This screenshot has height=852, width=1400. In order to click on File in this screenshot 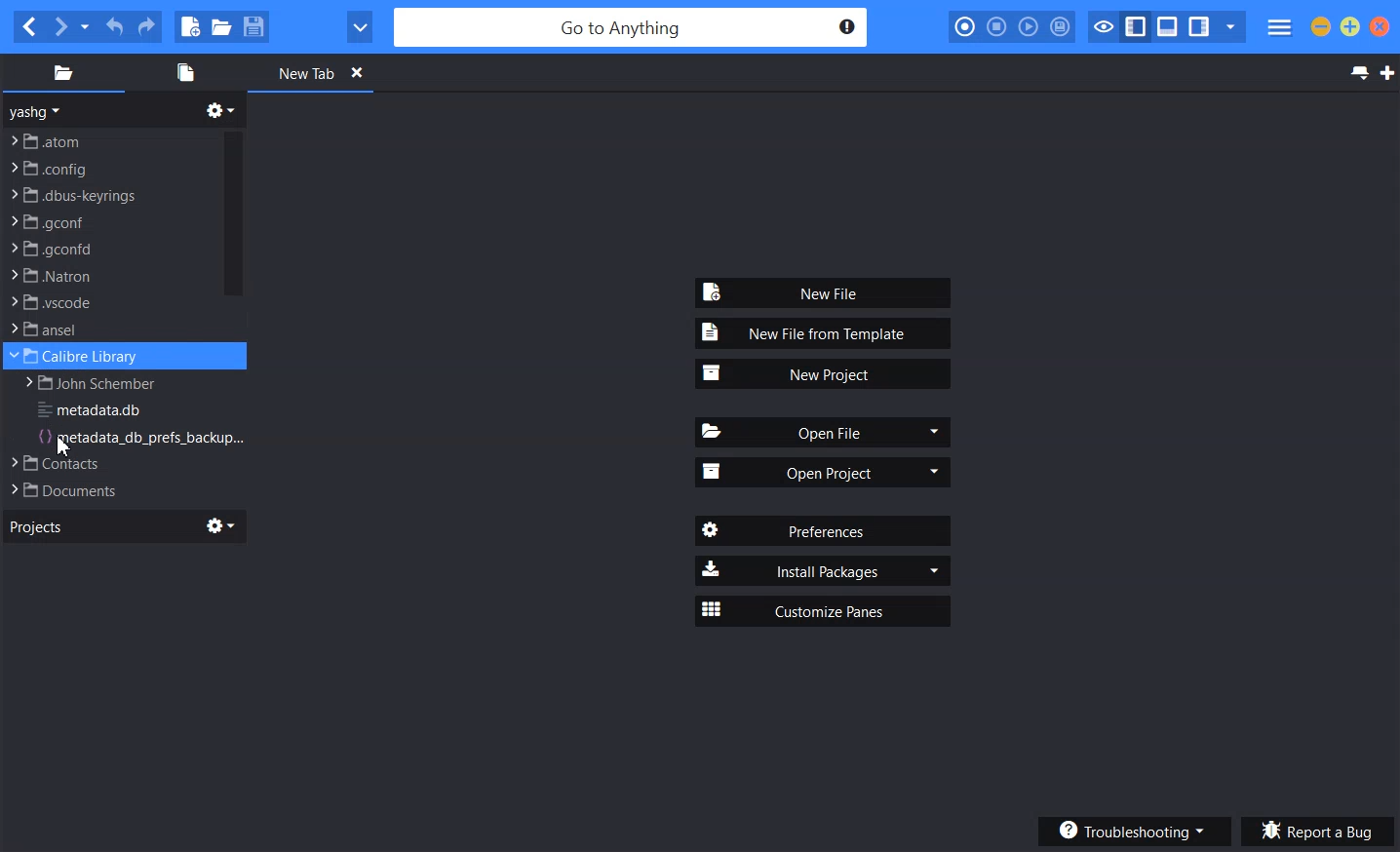, I will do `click(111, 139)`.